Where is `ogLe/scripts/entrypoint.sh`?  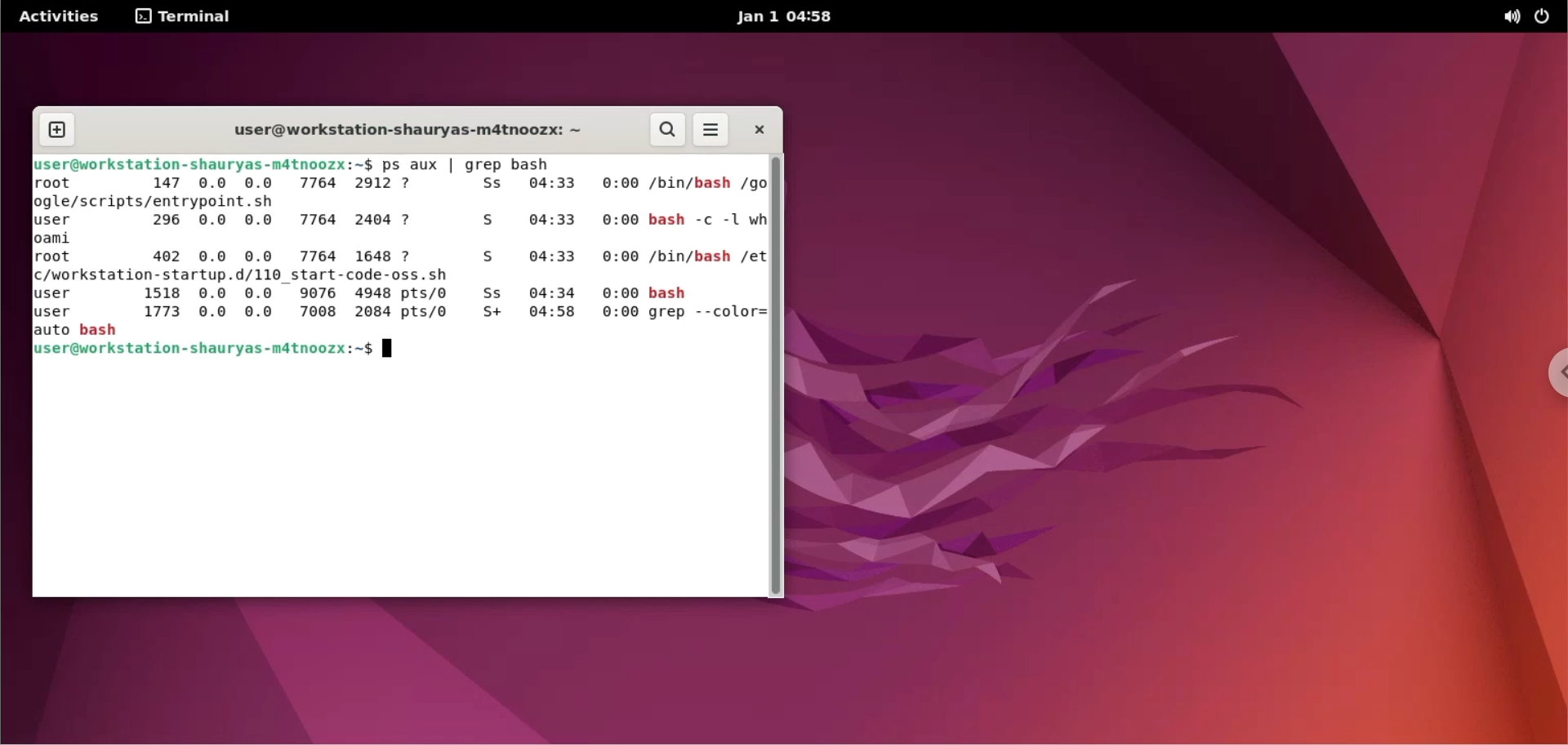 ogLe/scripts/entrypoint.sh is located at coordinates (169, 201).